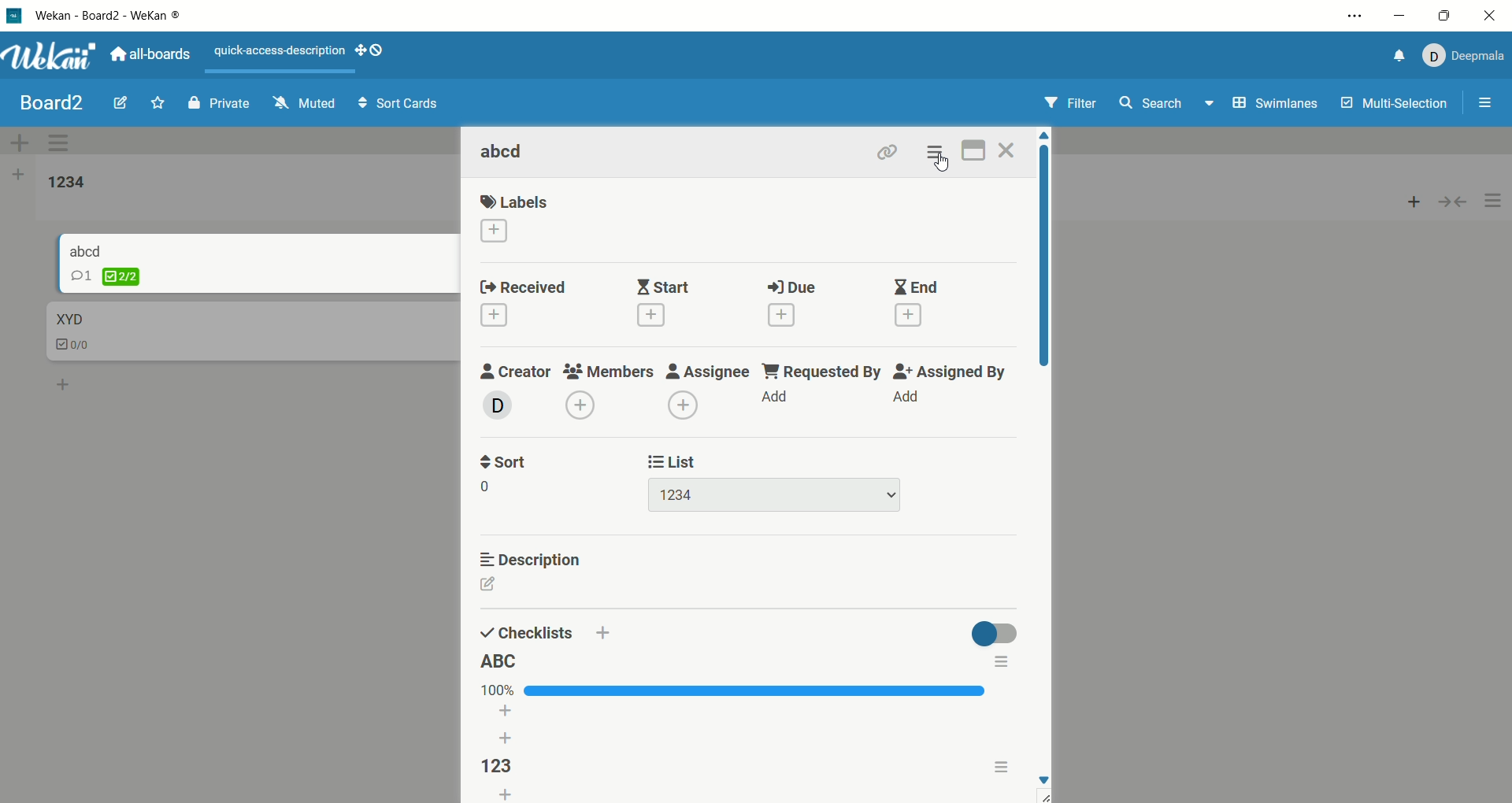  Describe the element at coordinates (500, 768) in the screenshot. I see `checklist` at that location.